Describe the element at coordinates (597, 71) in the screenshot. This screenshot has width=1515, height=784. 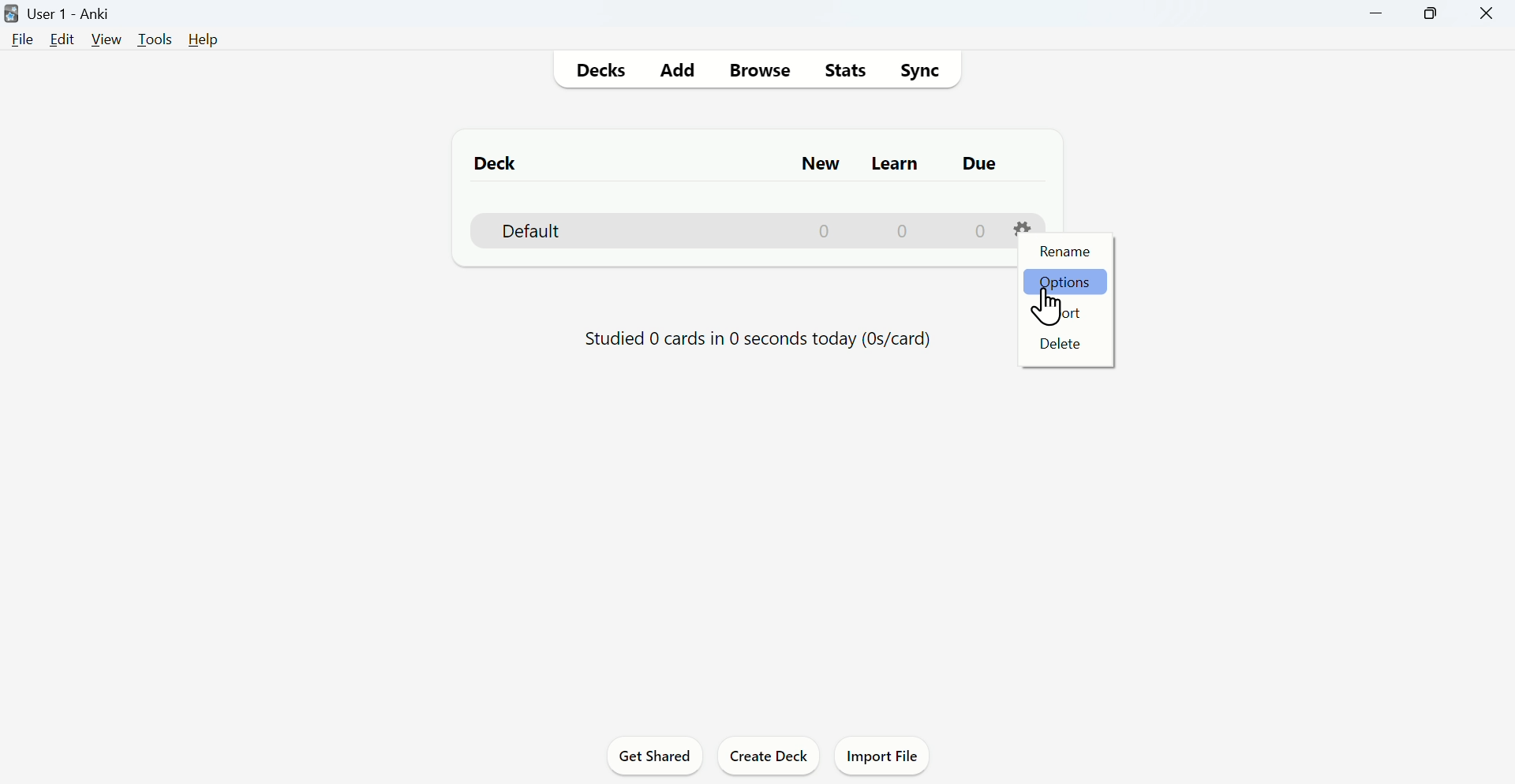
I see `Decks` at that location.